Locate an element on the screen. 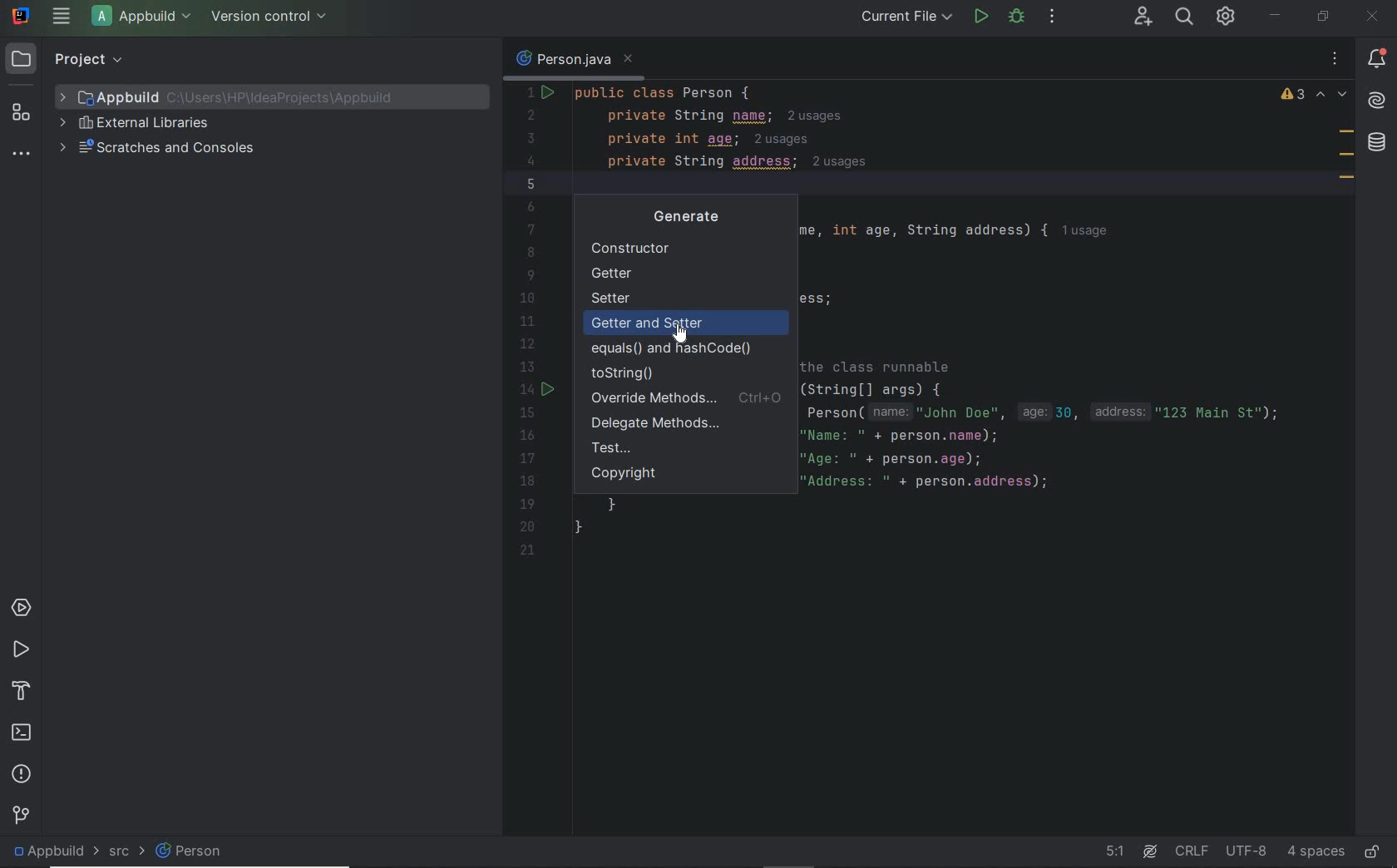 The height and width of the screenshot is (868, 1397). minimize is located at coordinates (1275, 15).